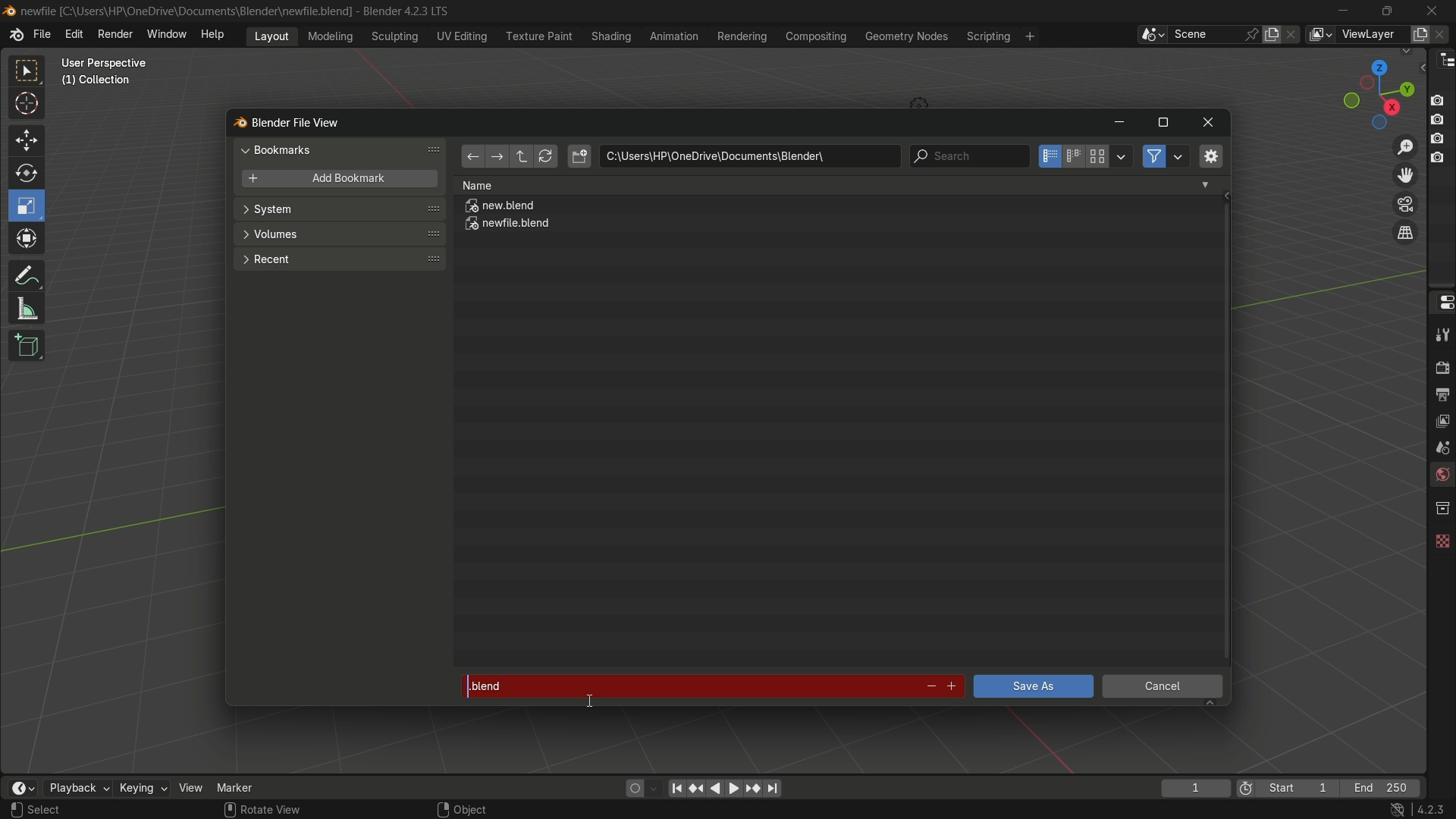 The width and height of the screenshot is (1456, 819). Describe the element at coordinates (1210, 155) in the screenshot. I see `toggle region` at that location.